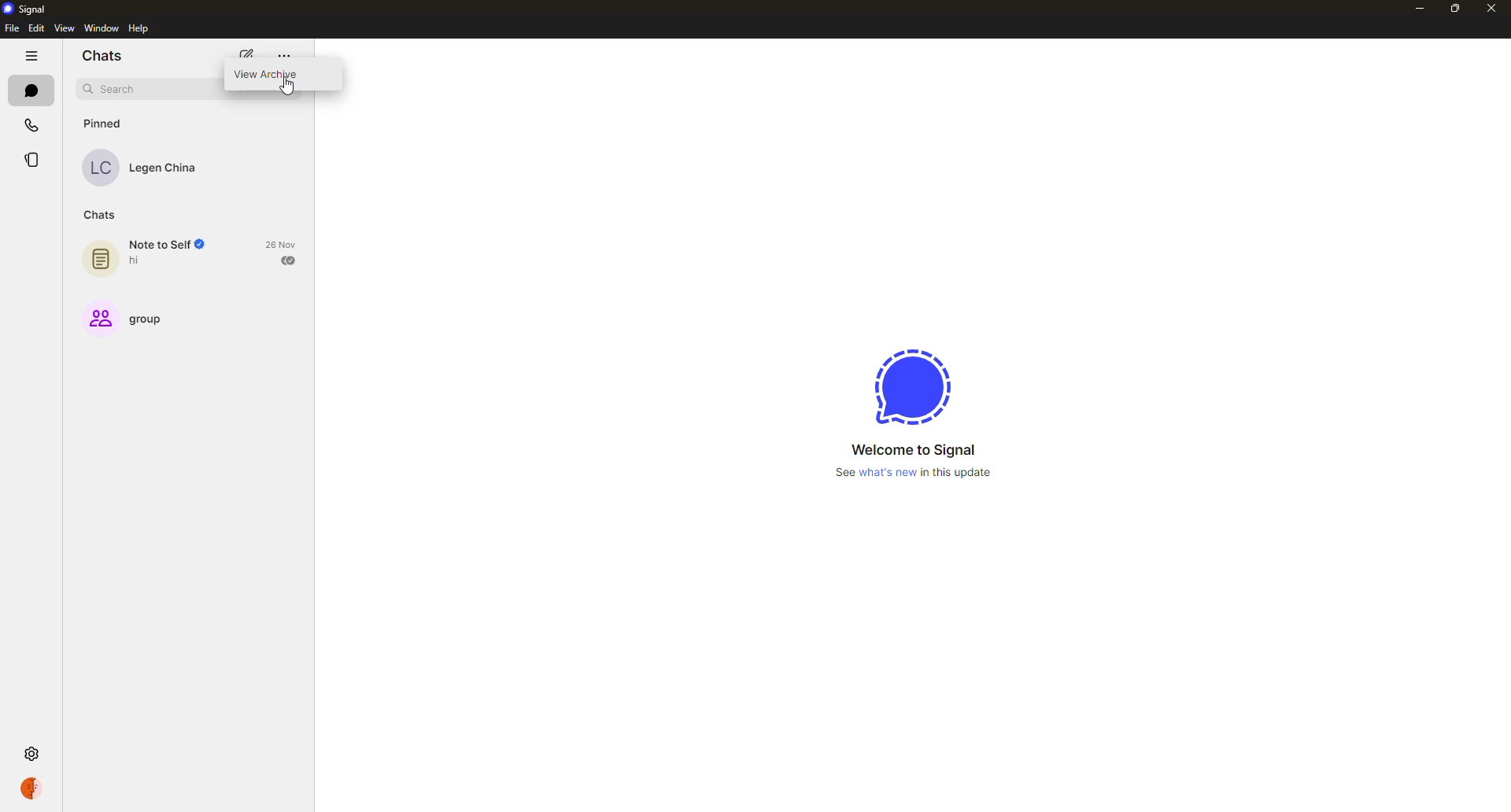 This screenshot has width=1511, height=812. Describe the element at coordinates (1455, 9) in the screenshot. I see `maximize` at that location.